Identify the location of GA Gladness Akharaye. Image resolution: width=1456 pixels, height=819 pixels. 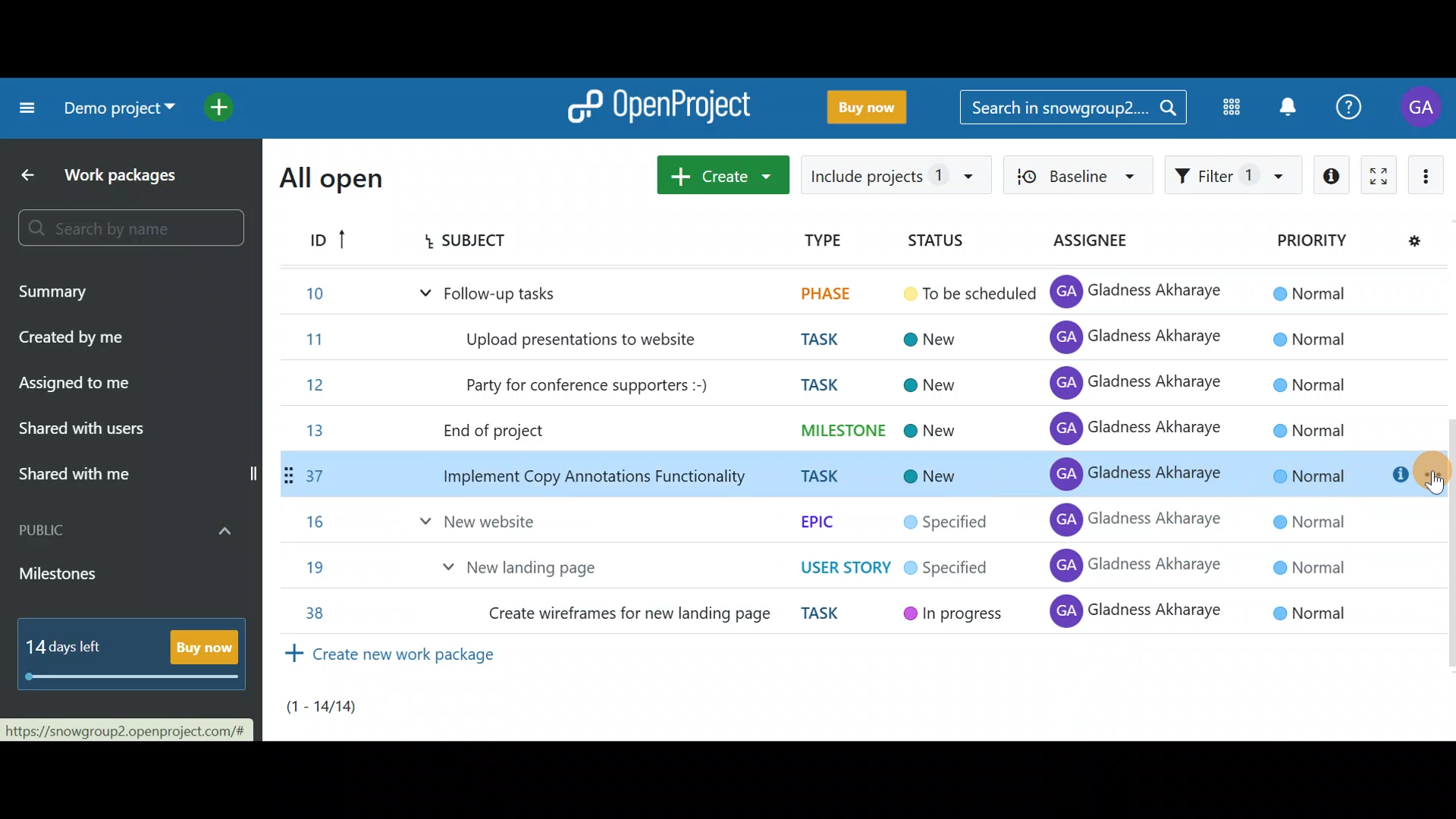
(1127, 337).